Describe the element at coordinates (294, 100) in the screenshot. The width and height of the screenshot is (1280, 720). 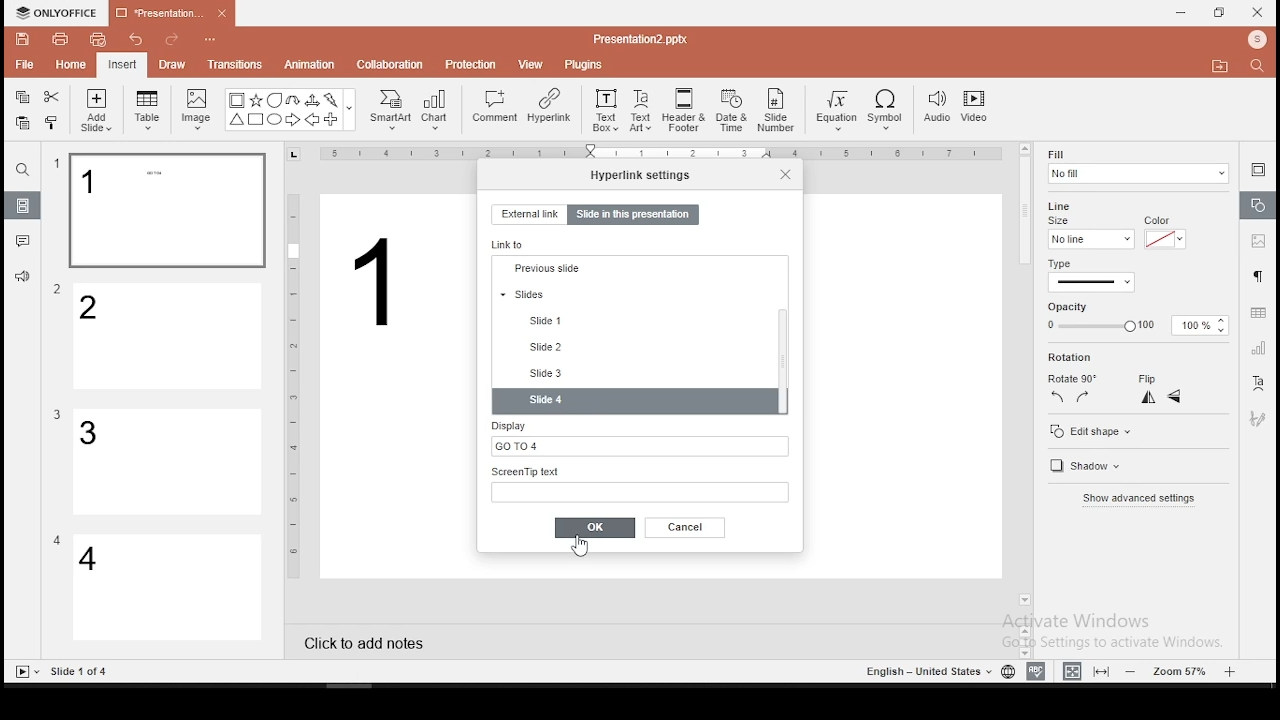
I see `U Arrow` at that location.